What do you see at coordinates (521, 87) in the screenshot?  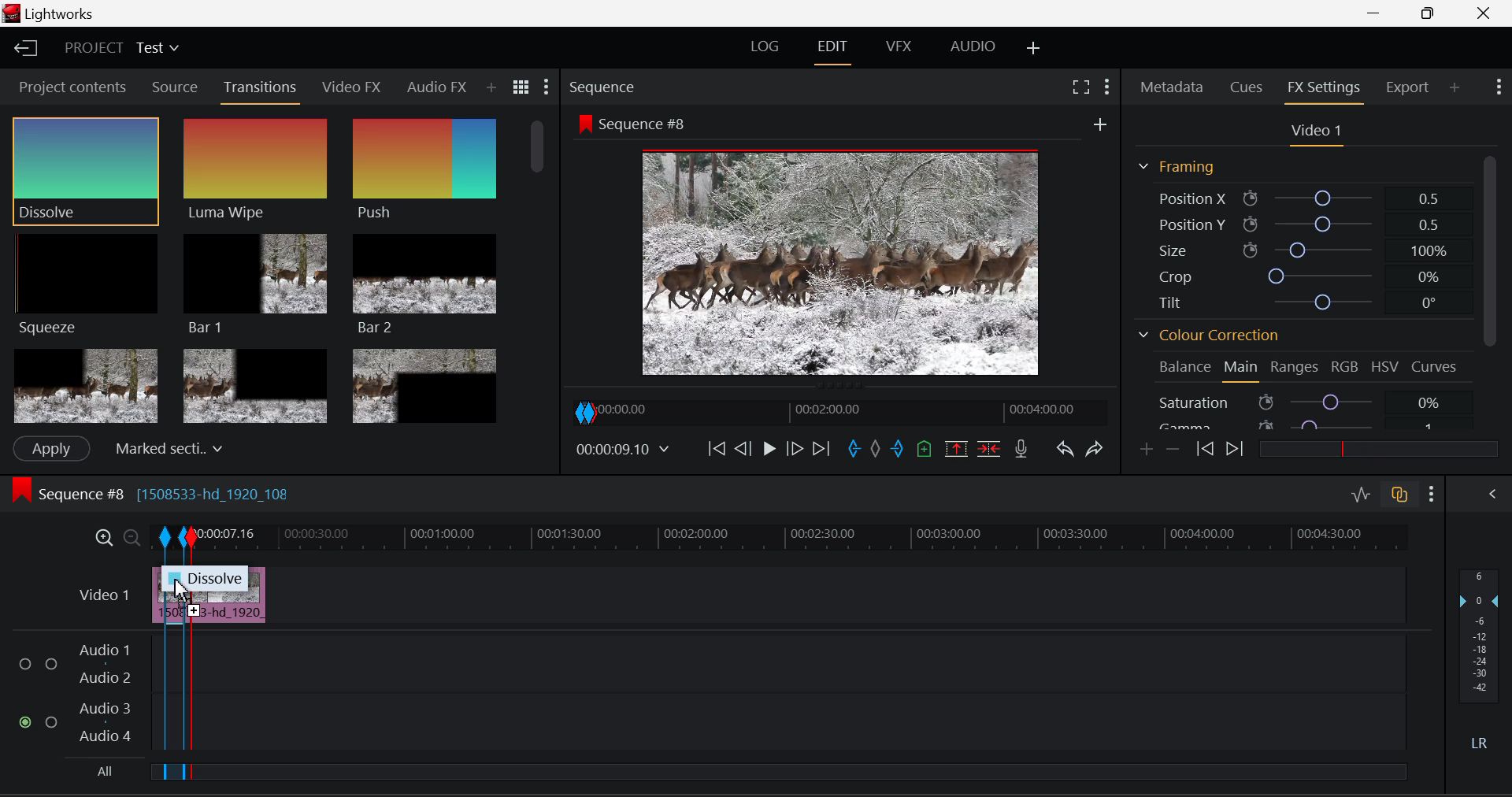 I see `Toggle between list and title view` at bounding box center [521, 87].